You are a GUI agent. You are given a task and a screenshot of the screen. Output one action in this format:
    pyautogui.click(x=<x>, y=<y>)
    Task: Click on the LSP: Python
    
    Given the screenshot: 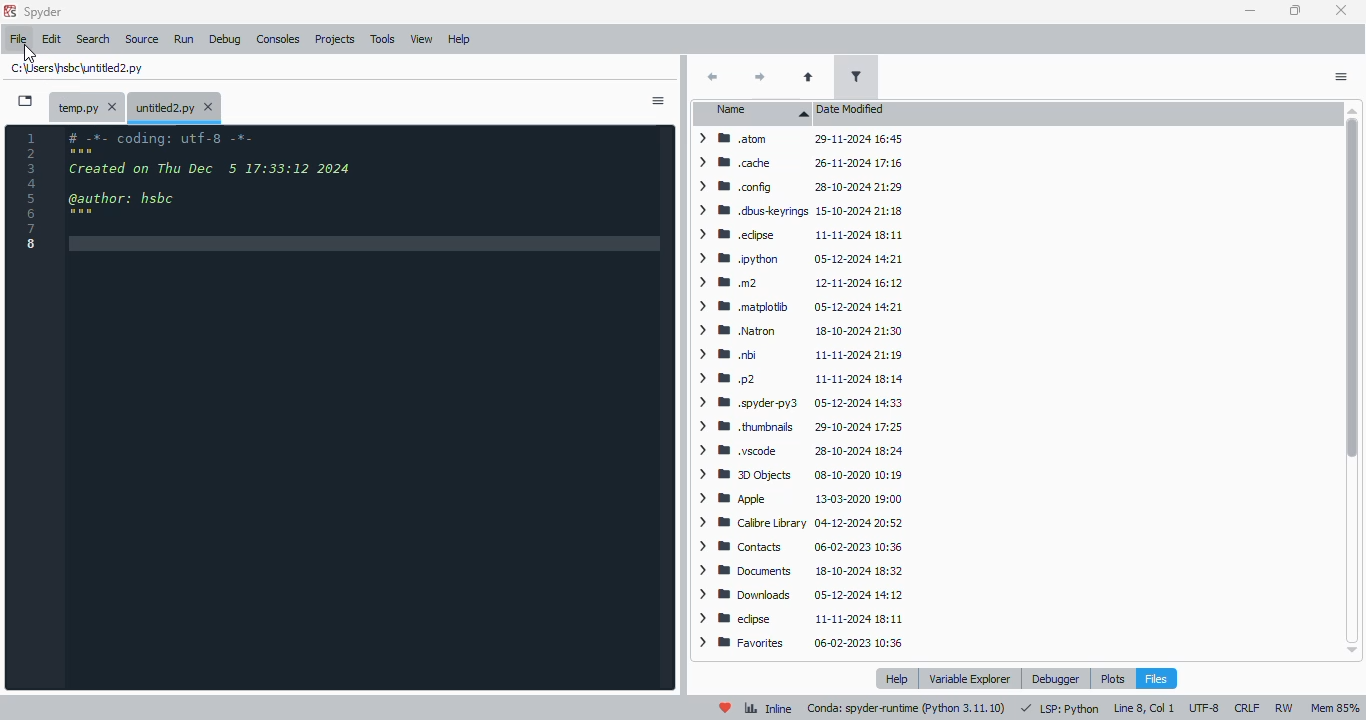 What is the action you would take?
    pyautogui.click(x=1059, y=709)
    